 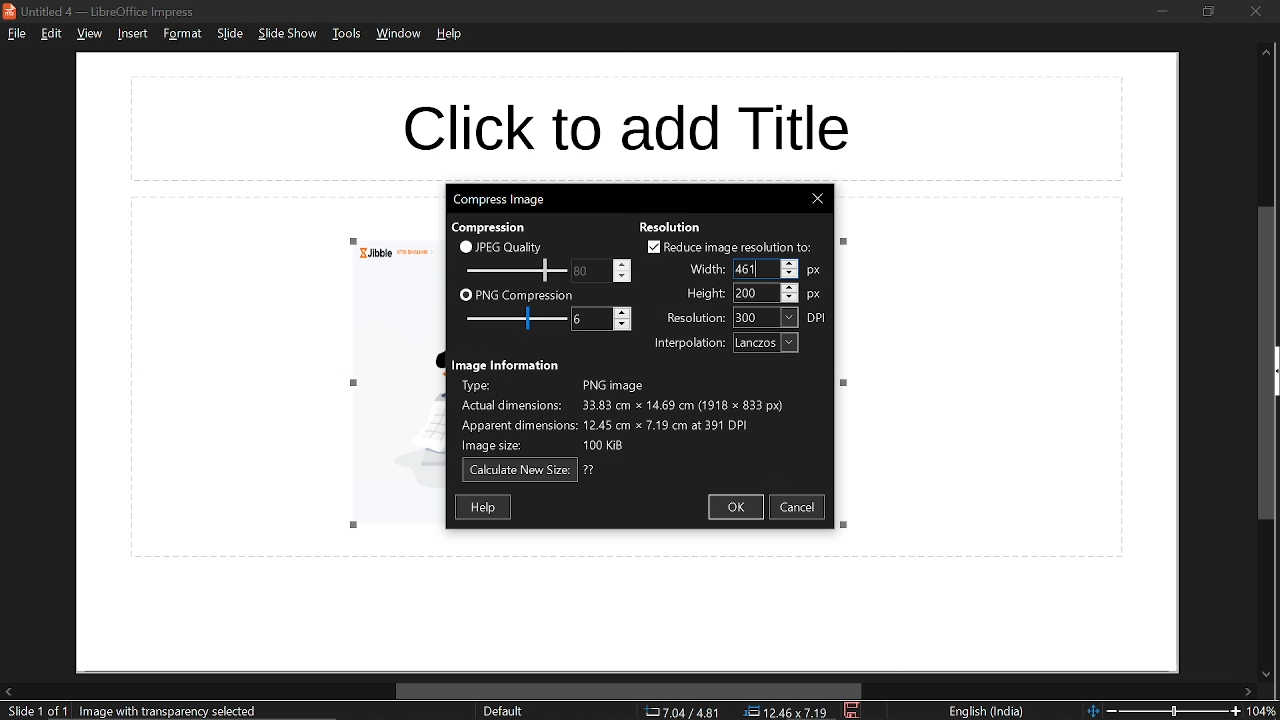 What do you see at coordinates (801, 509) in the screenshot?
I see `cancel` at bounding box center [801, 509].